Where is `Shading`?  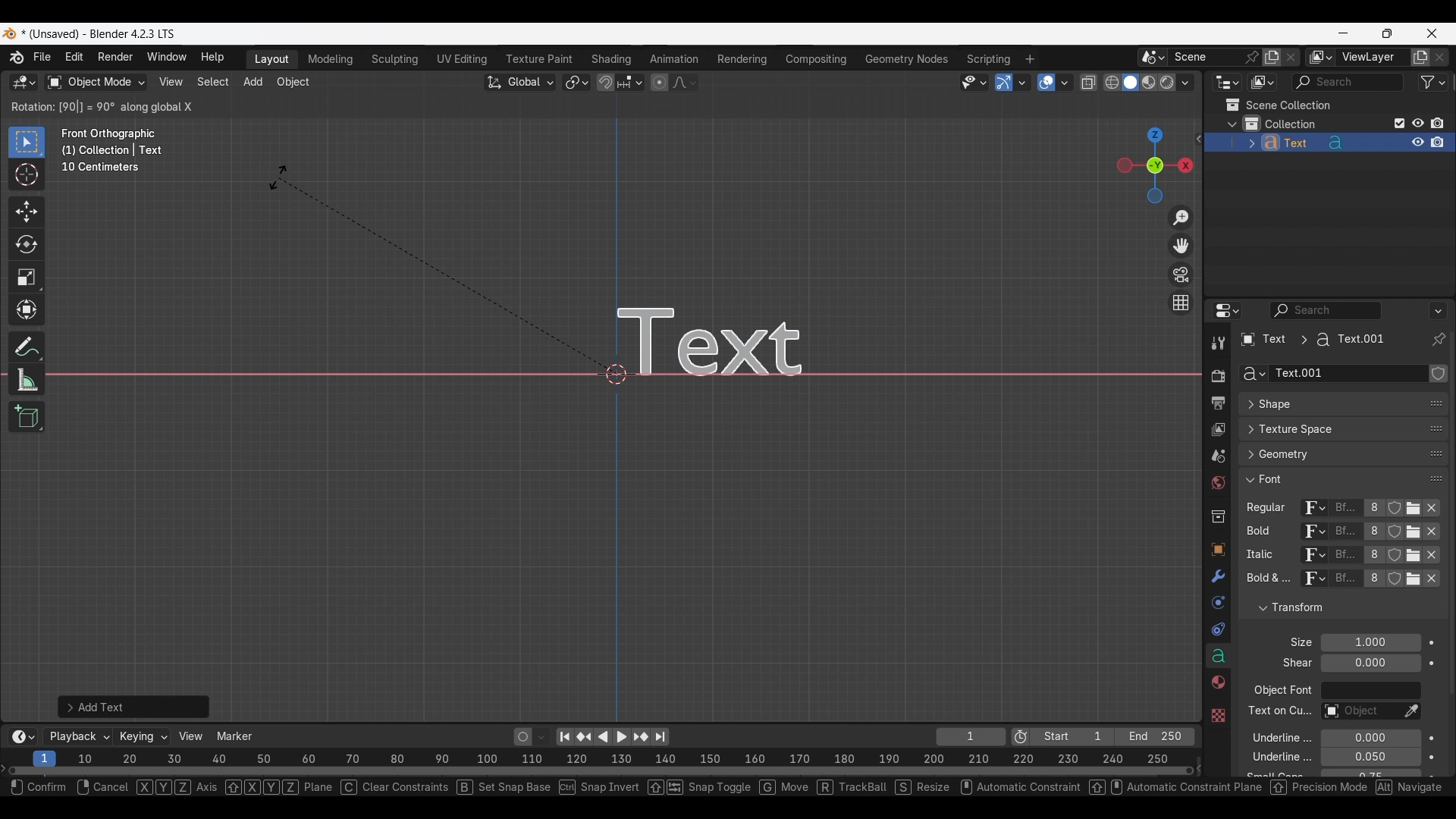 Shading is located at coordinates (1185, 83).